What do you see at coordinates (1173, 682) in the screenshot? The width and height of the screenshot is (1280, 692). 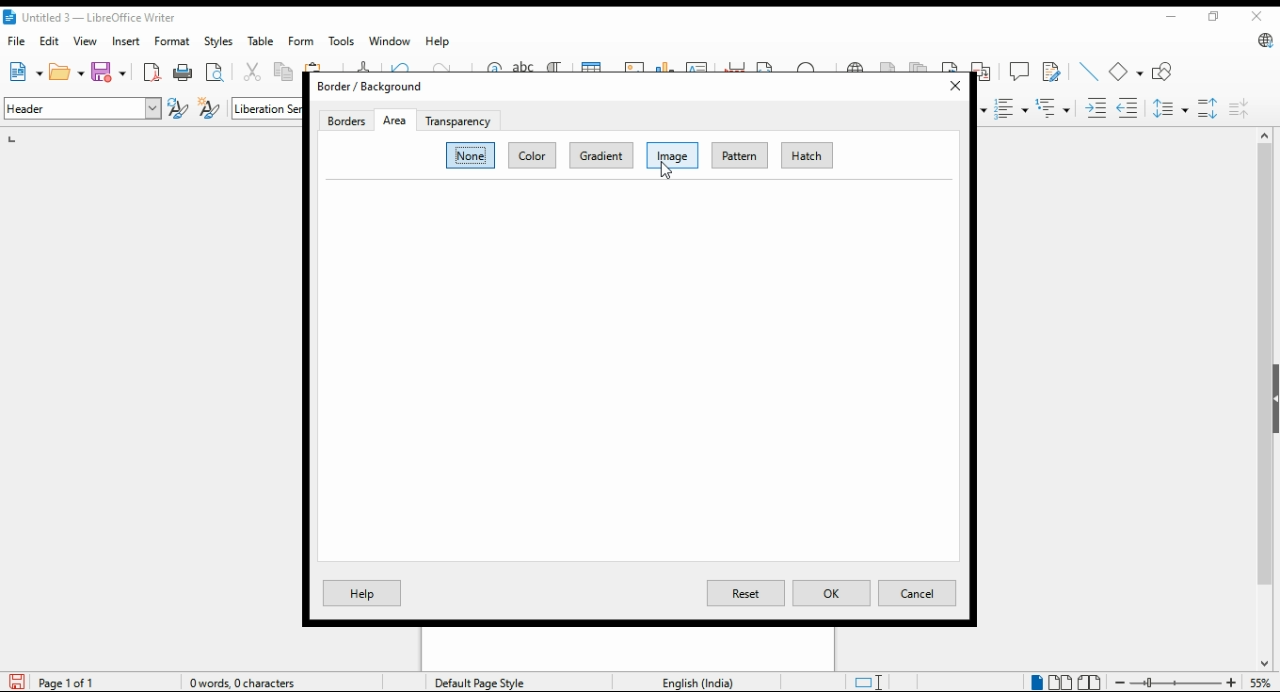 I see `zoom in/zoom out slider` at bounding box center [1173, 682].